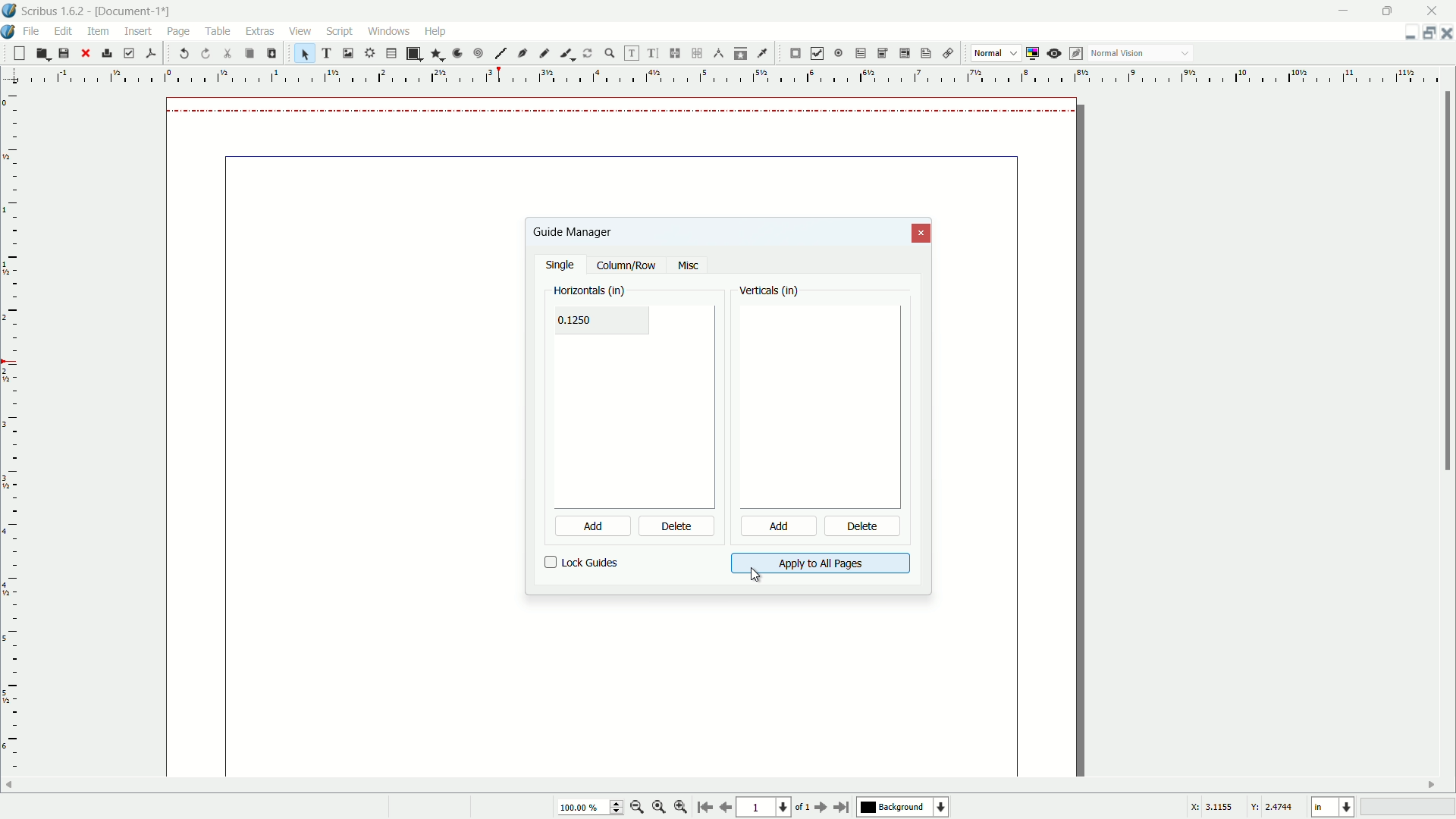  What do you see at coordinates (458, 53) in the screenshot?
I see `arc` at bounding box center [458, 53].